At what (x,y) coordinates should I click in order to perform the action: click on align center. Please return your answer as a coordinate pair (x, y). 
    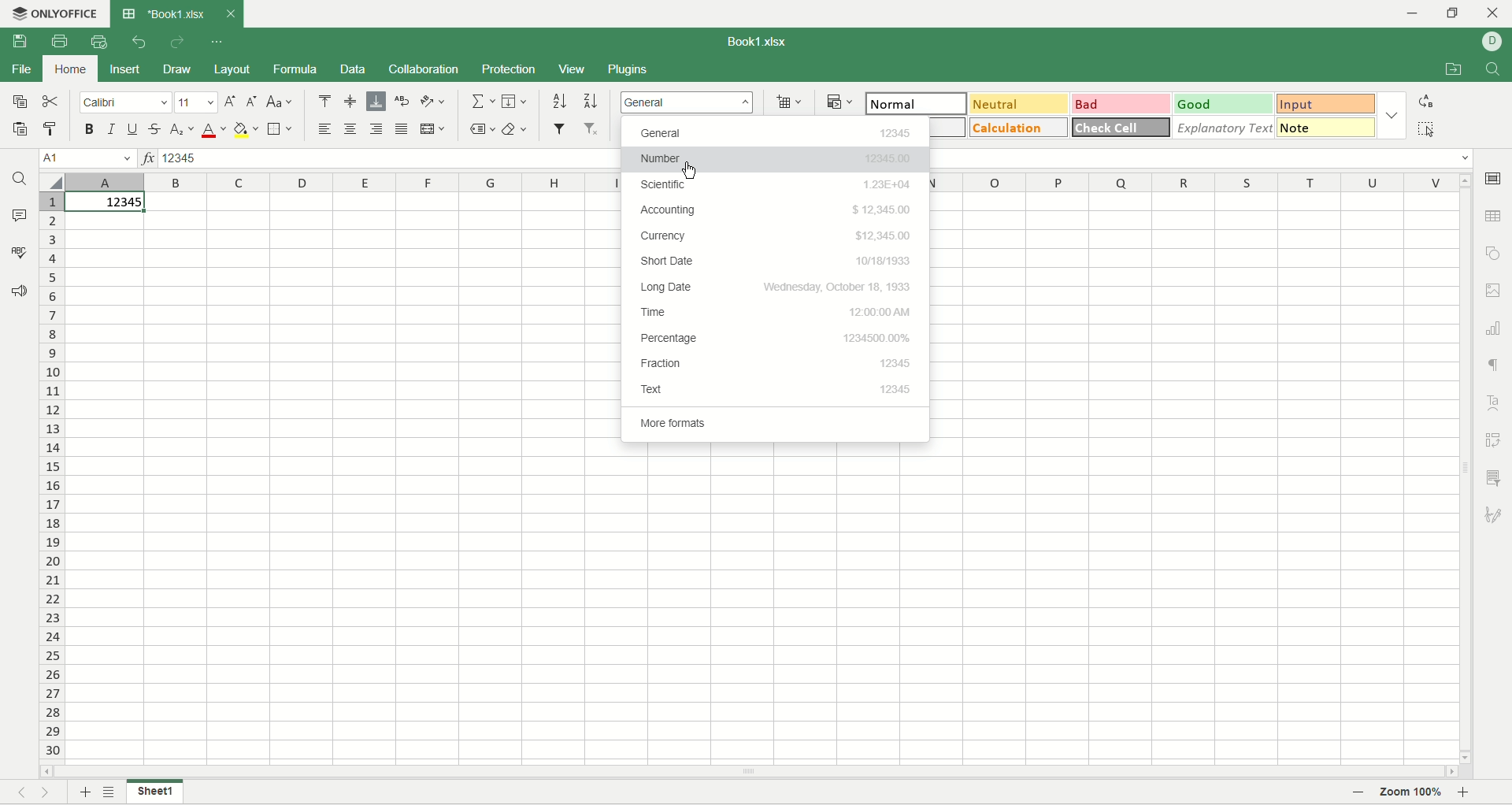
    Looking at the image, I should click on (351, 129).